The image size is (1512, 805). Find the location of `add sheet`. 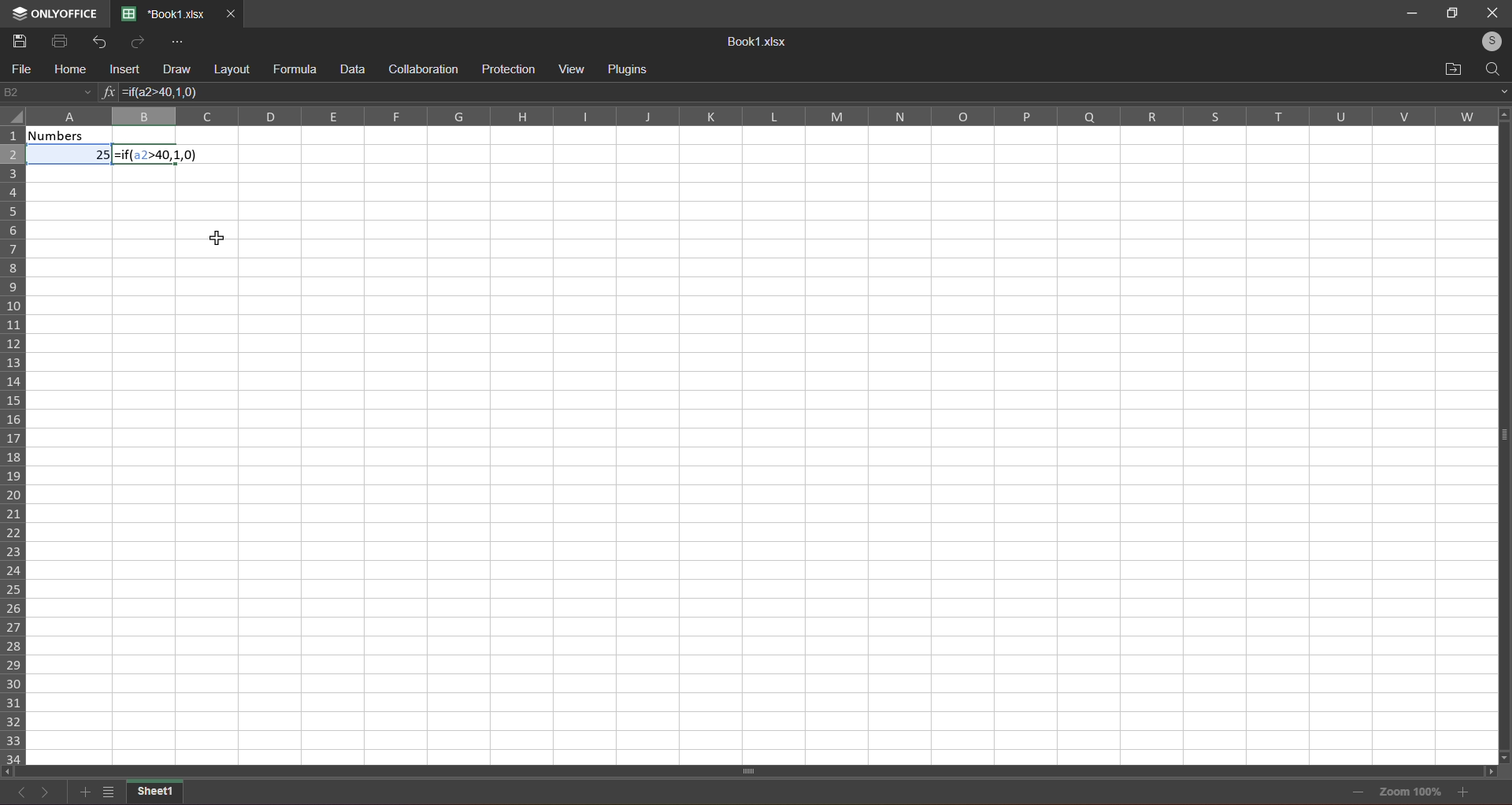

add sheet is located at coordinates (83, 792).